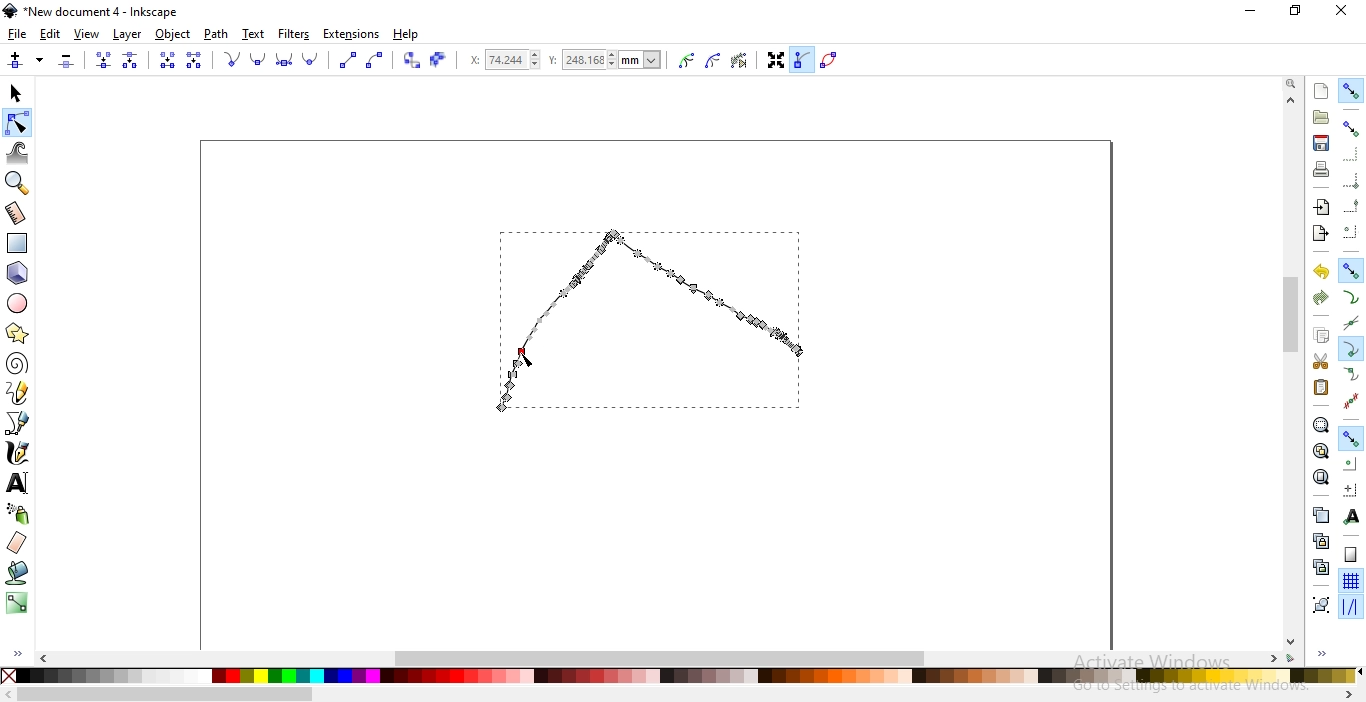 Image resolution: width=1366 pixels, height=702 pixels. Describe the element at coordinates (18, 392) in the screenshot. I see `draw freehand lines` at that location.